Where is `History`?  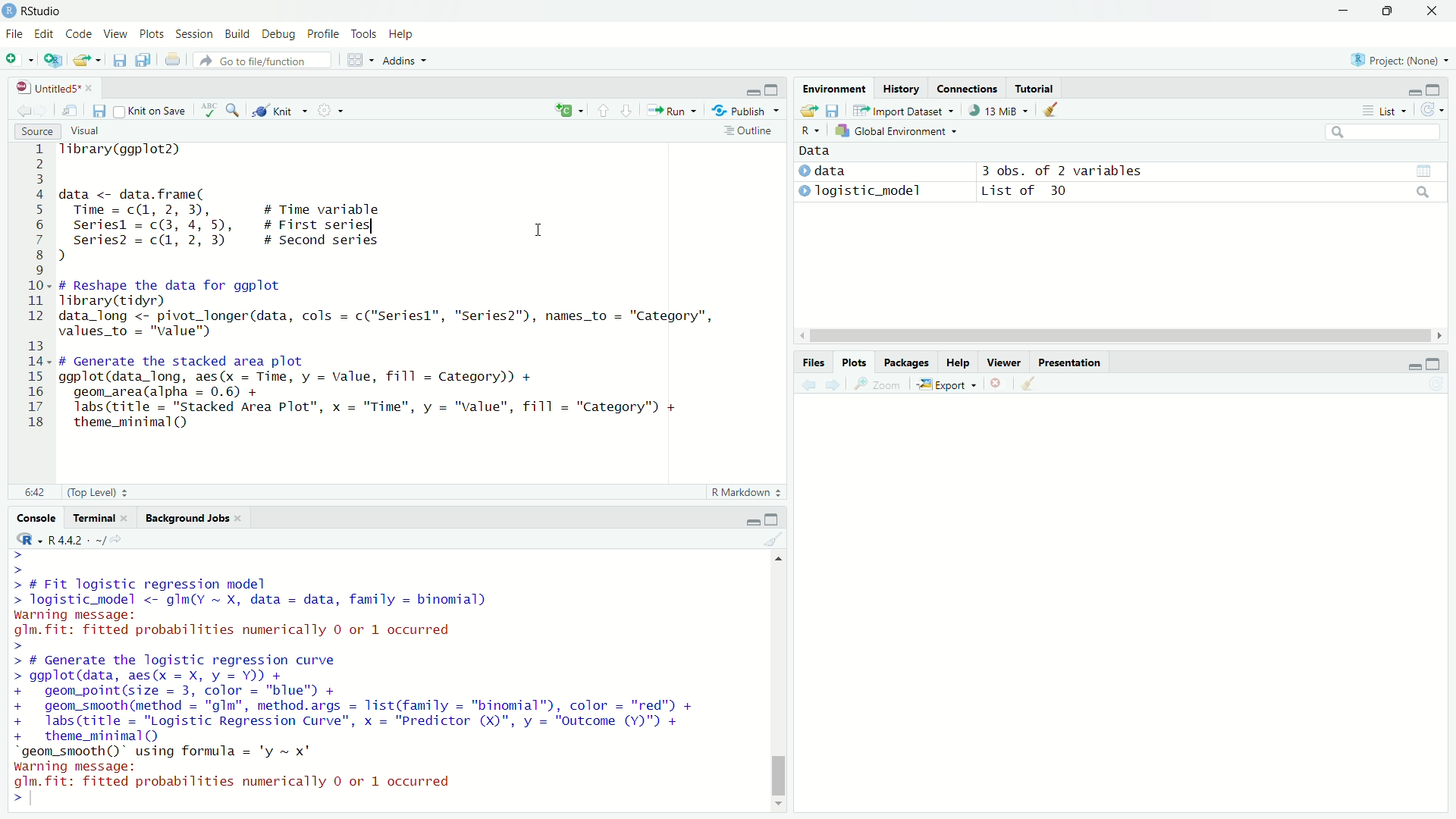
History is located at coordinates (899, 86).